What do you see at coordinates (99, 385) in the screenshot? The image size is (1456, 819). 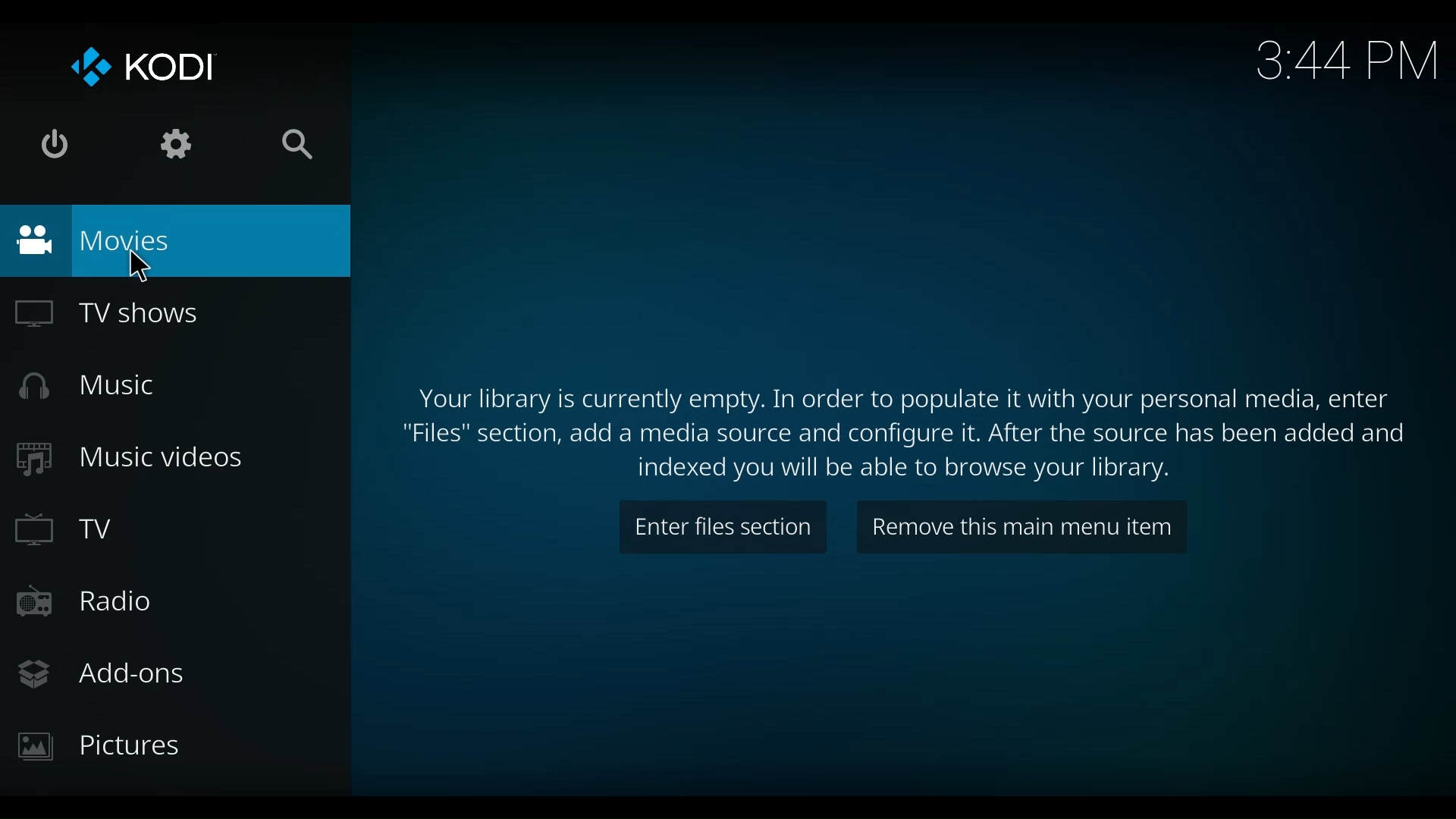 I see `Music` at bounding box center [99, 385].